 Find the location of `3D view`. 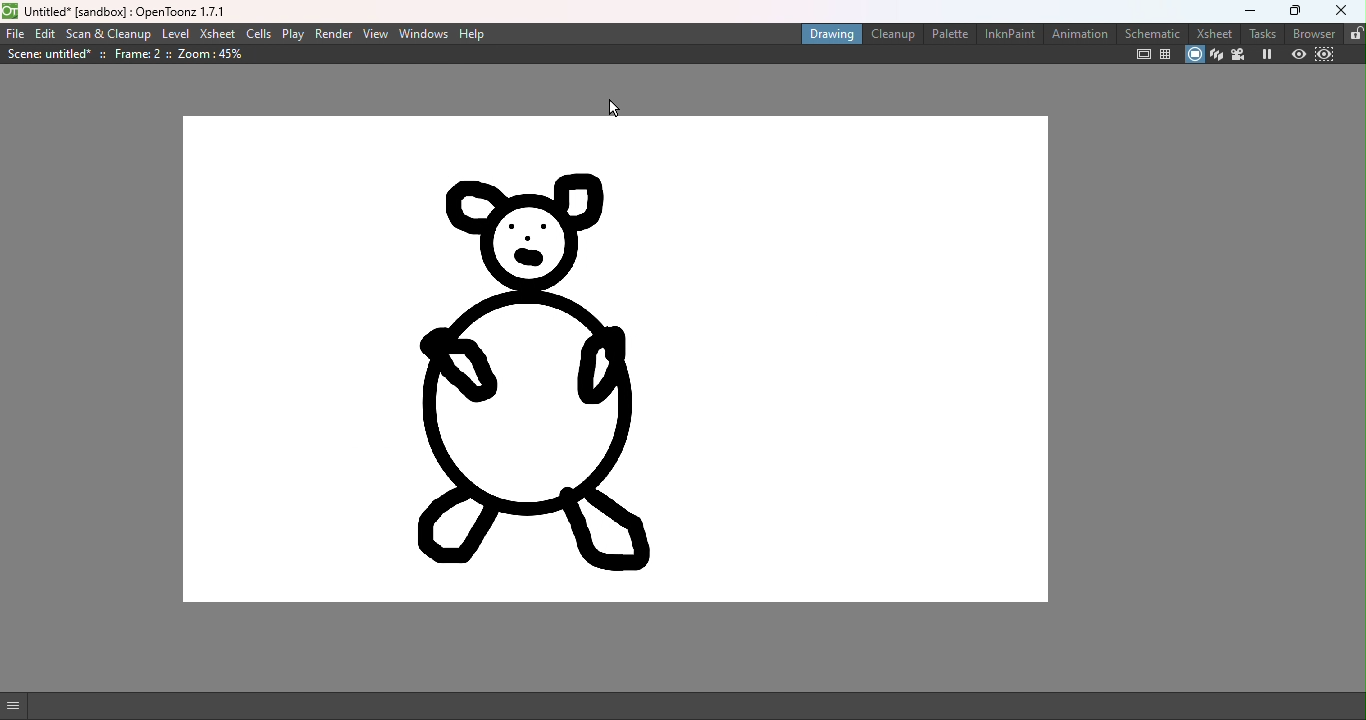

3D view is located at coordinates (1215, 54).